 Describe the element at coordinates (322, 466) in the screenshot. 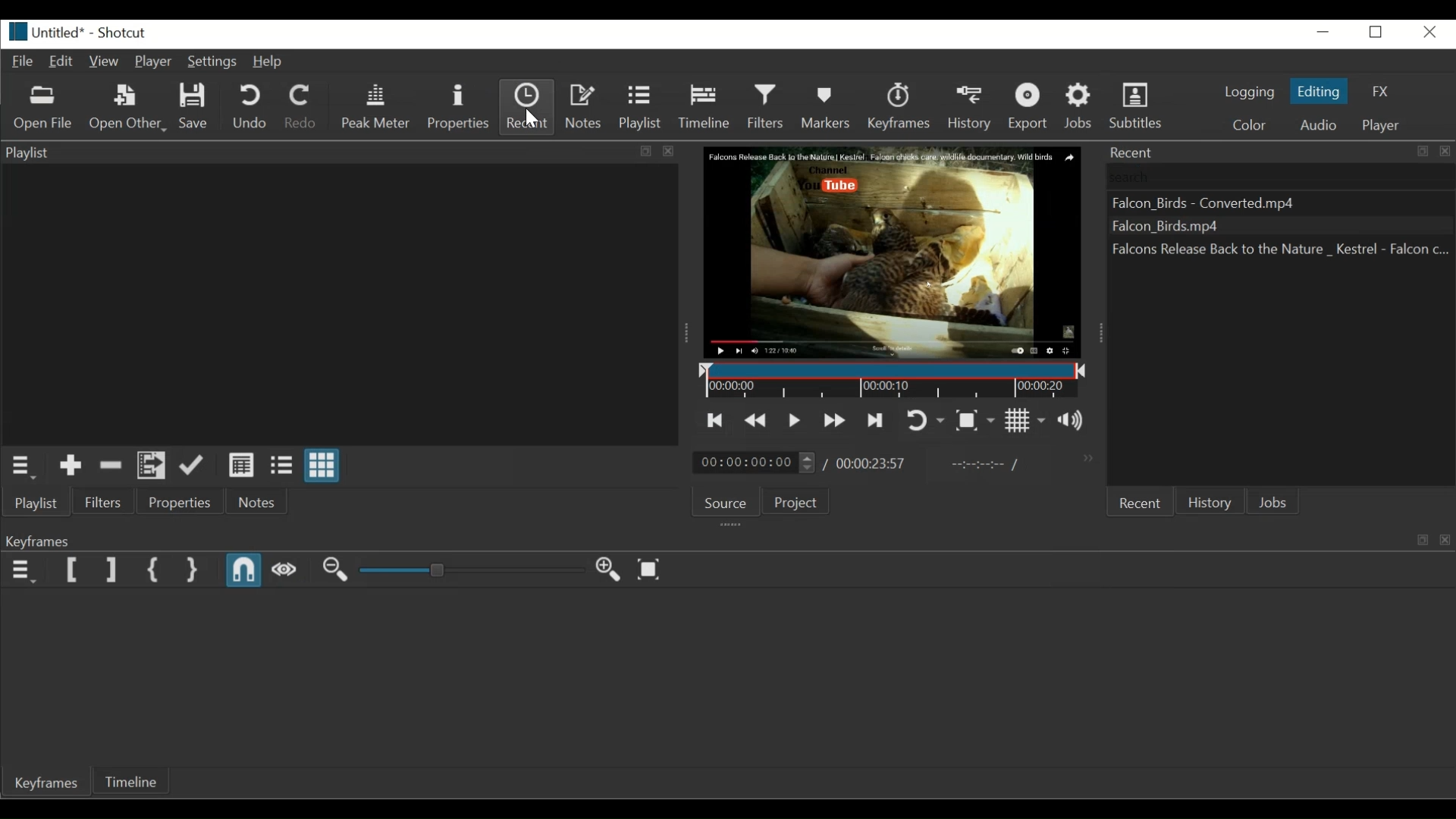

I see `View as icon` at that location.